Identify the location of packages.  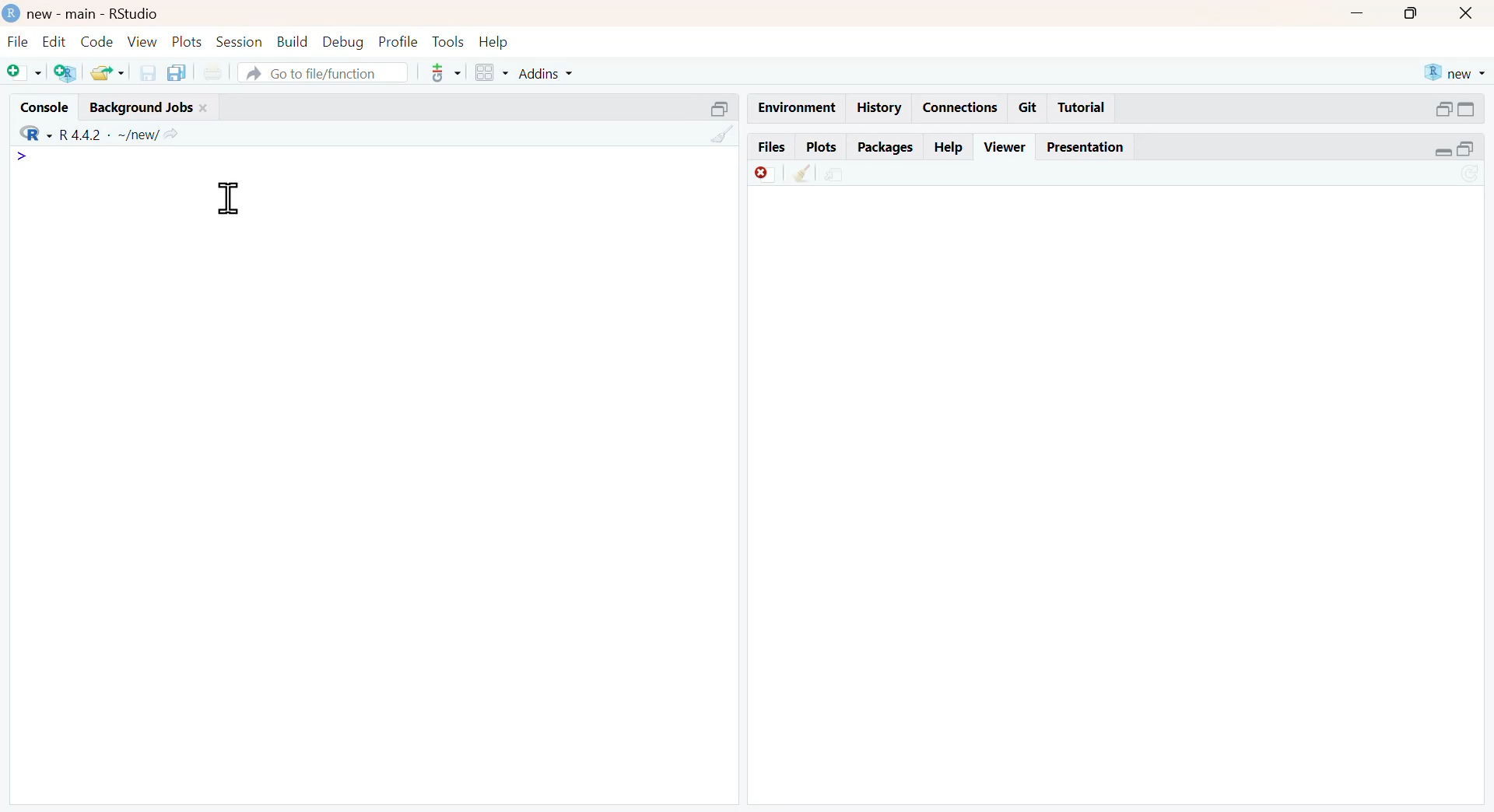
(887, 149).